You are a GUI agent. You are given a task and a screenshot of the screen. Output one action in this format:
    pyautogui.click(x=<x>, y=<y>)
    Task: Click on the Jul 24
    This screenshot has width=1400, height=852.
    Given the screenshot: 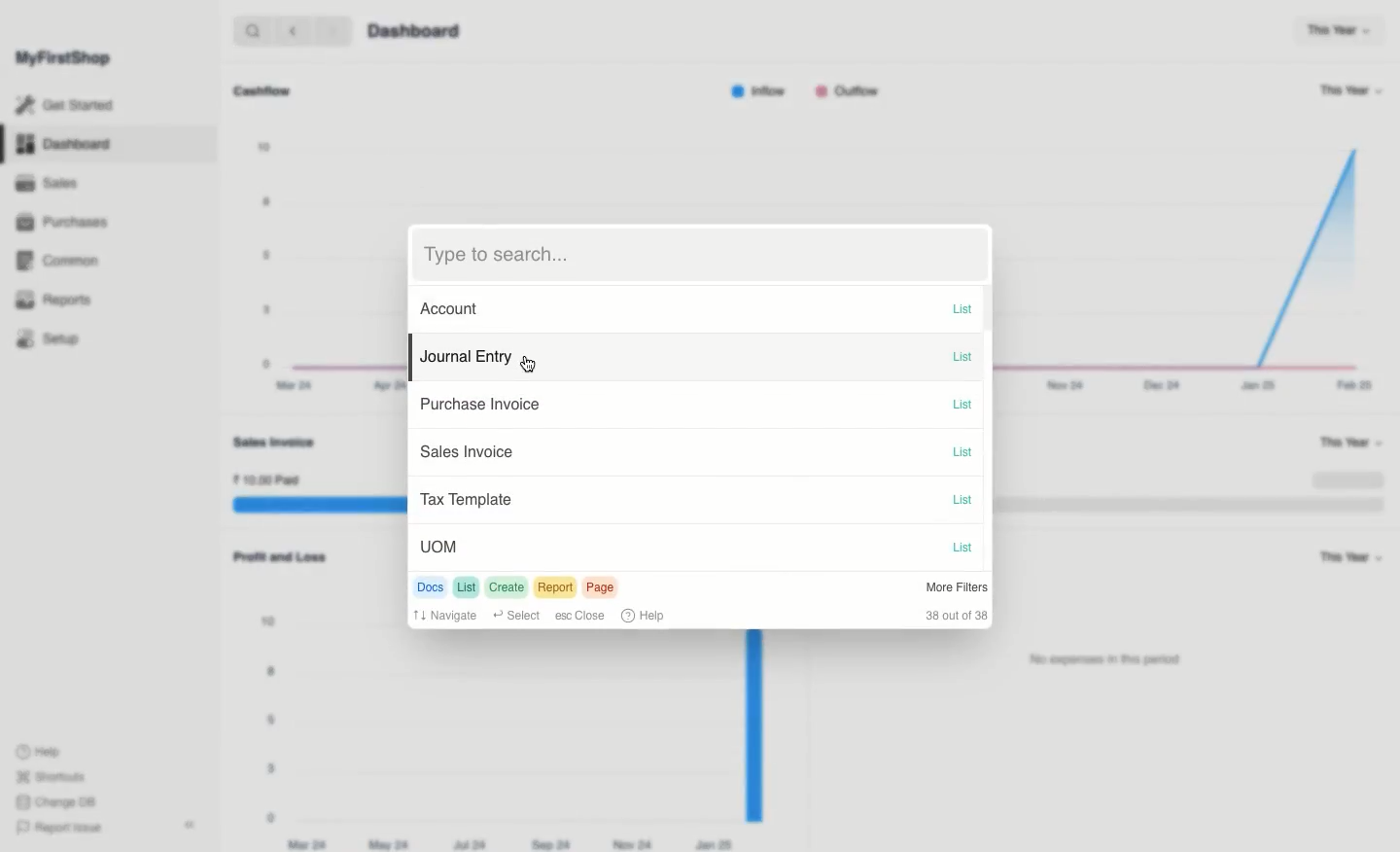 What is the action you would take?
    pyautogui.click(x=471, y=842)
    